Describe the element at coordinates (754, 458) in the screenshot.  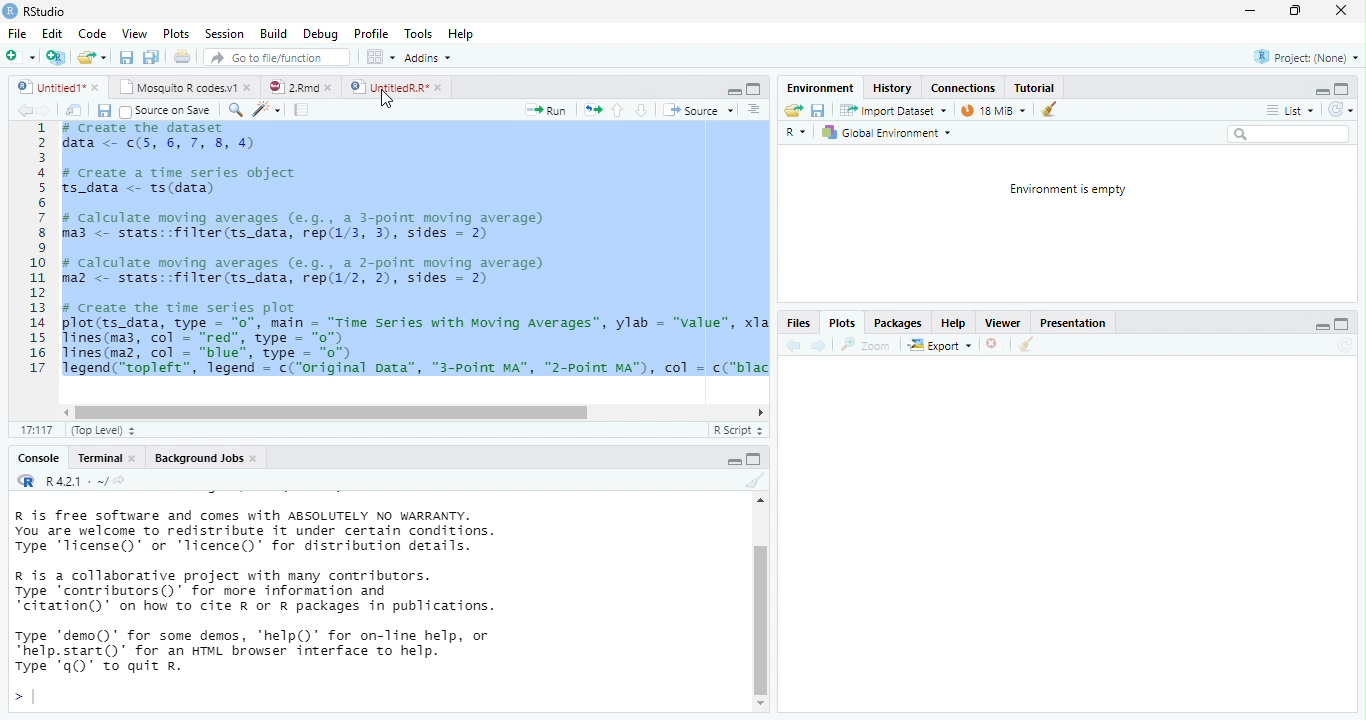
I see `minimize` at that location.